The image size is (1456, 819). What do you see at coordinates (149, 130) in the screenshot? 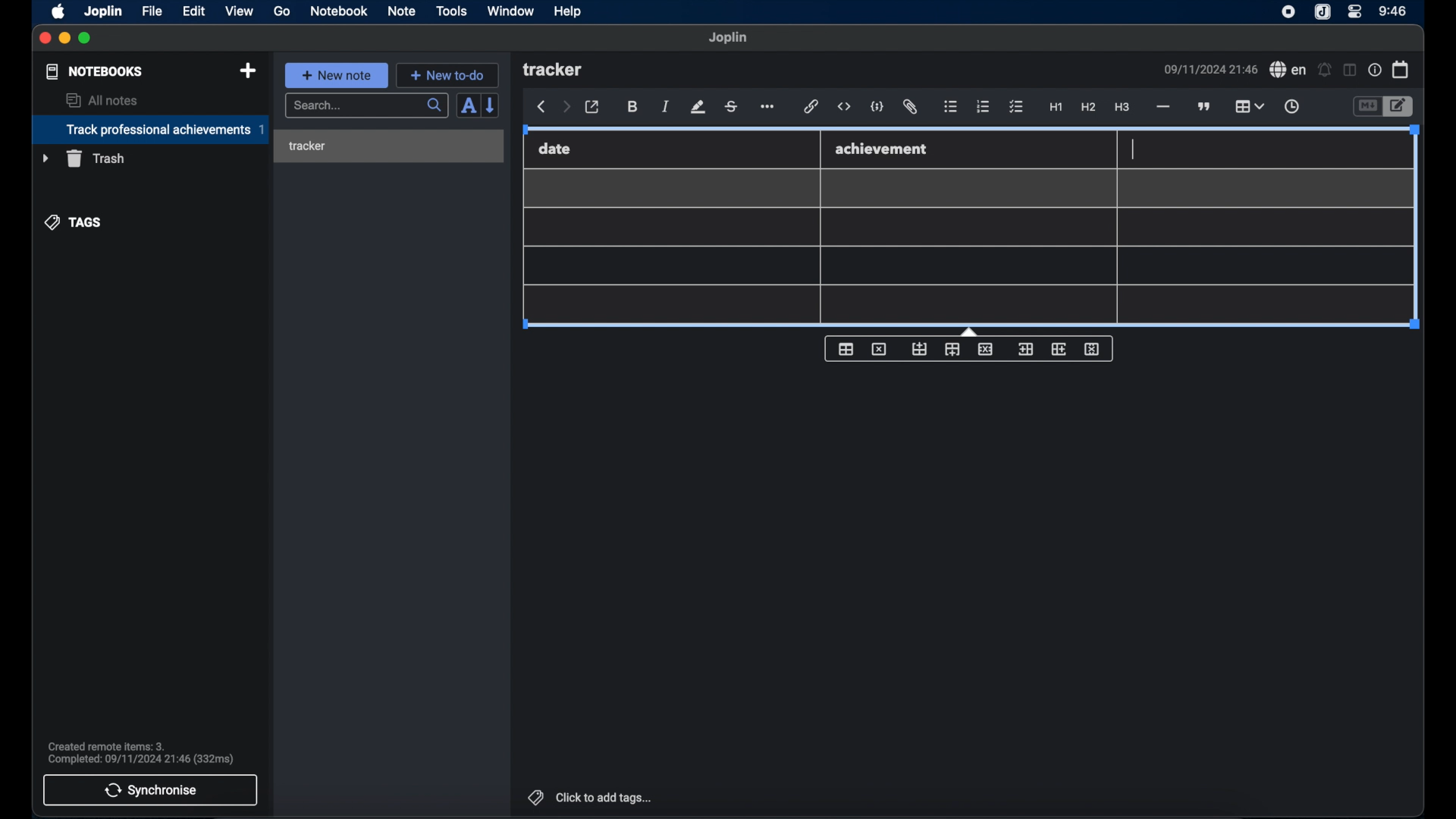
I see `track professional achievements` at bounding box center [149, 130].